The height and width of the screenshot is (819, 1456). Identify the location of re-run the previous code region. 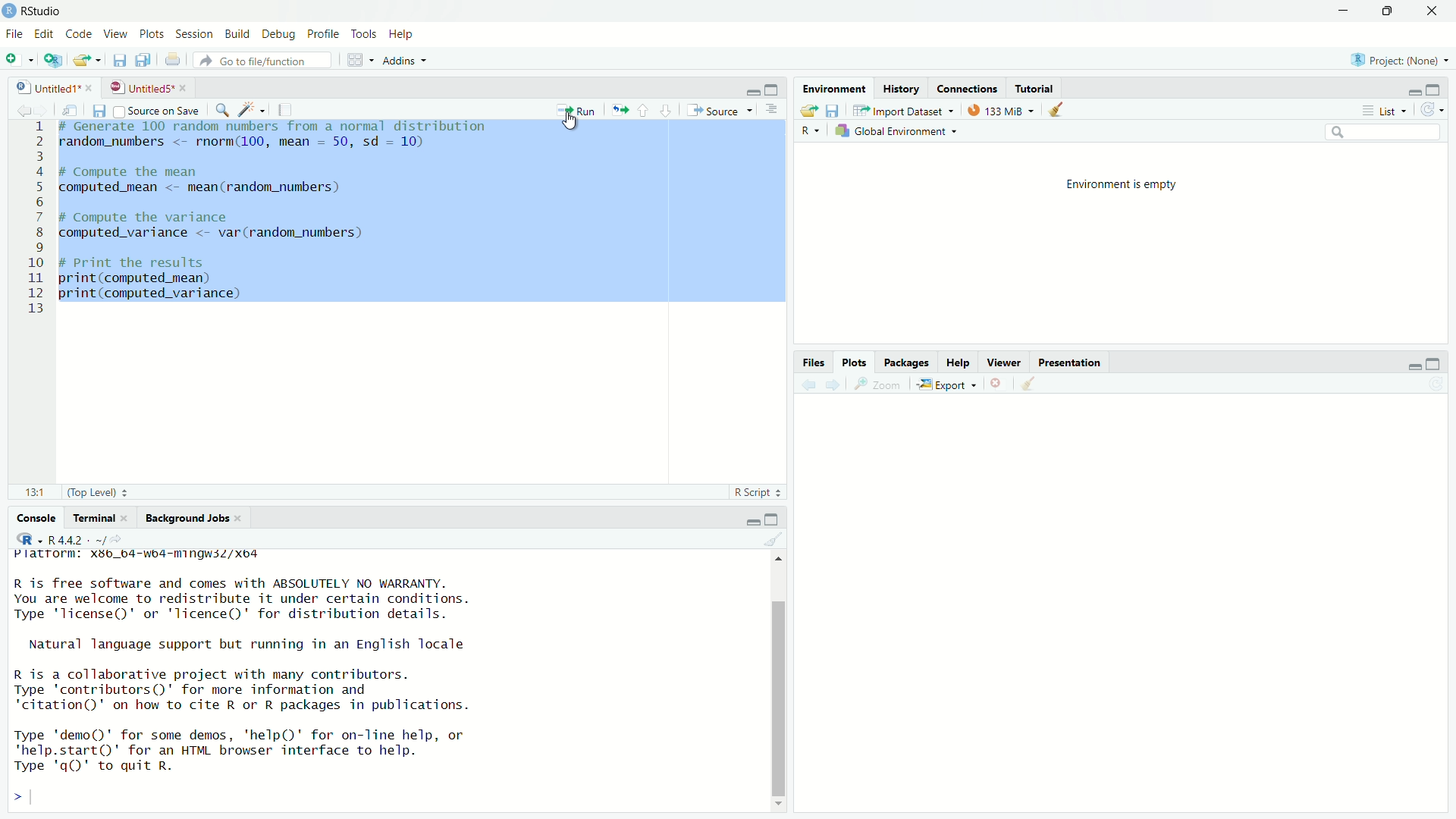
(618, 111).